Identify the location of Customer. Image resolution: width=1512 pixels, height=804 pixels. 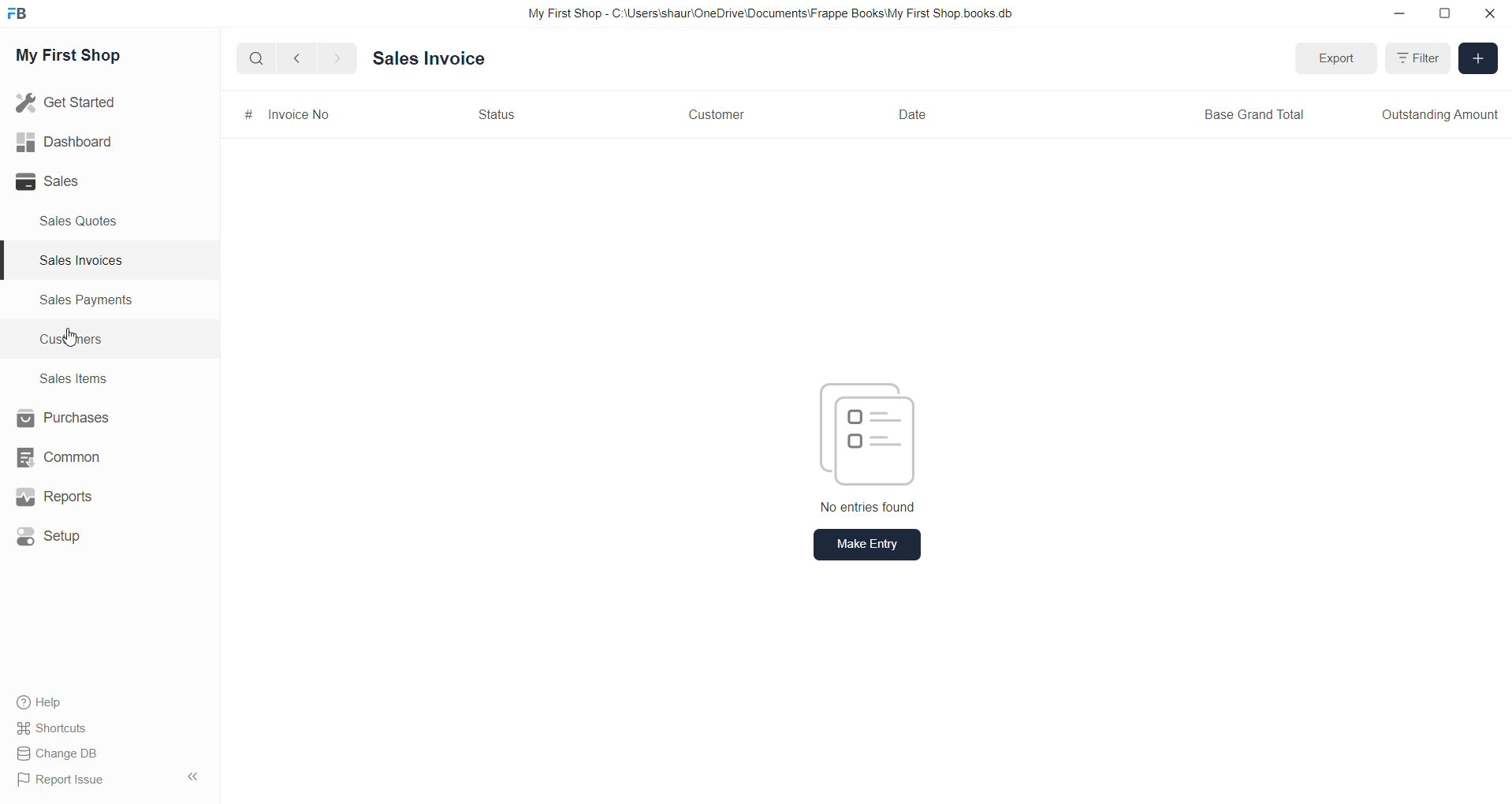
(721, 117).